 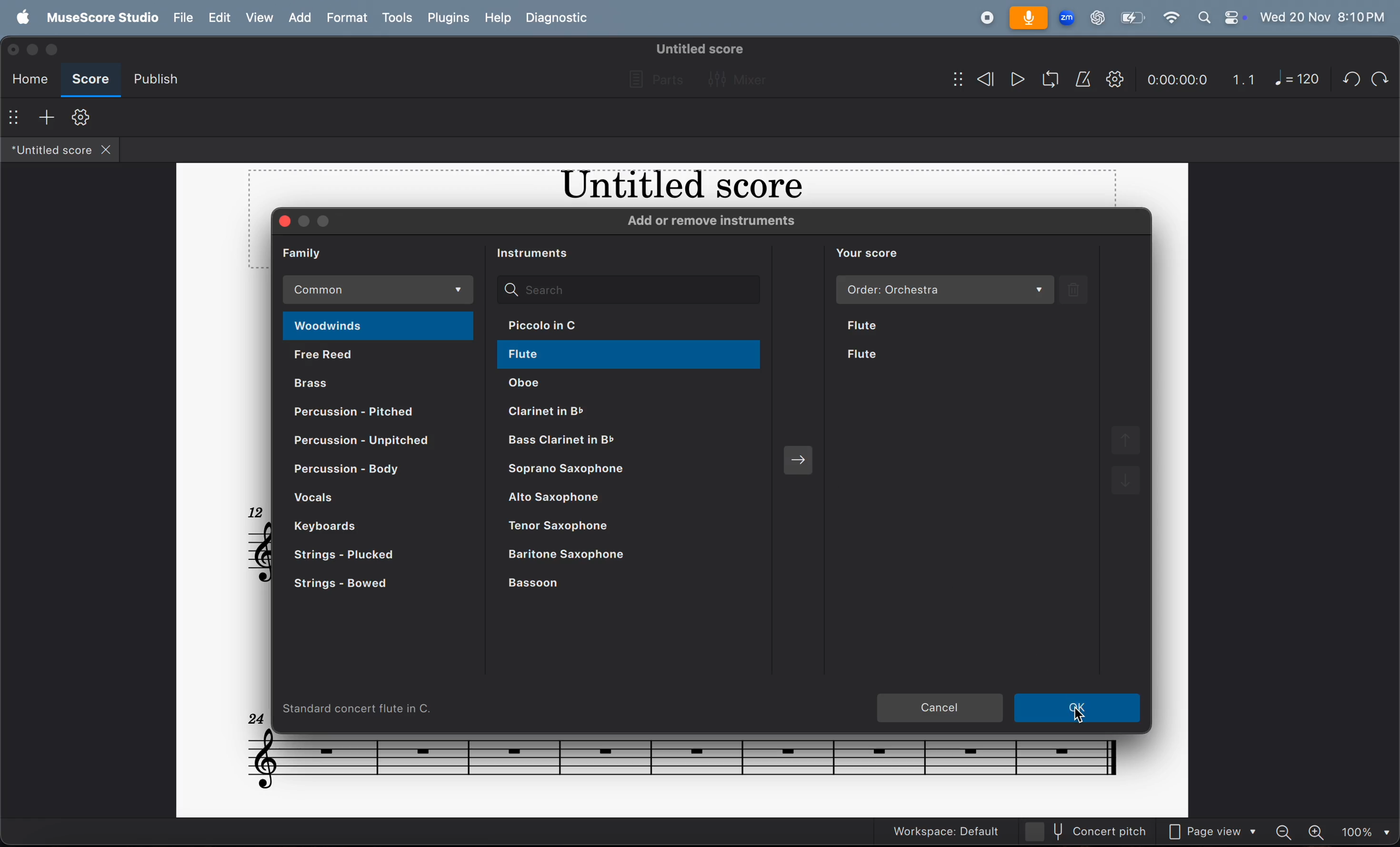 What do you see at coordinates (450, 18) in the screenshot?
I see `plugons` at bounding box center [450, 18].